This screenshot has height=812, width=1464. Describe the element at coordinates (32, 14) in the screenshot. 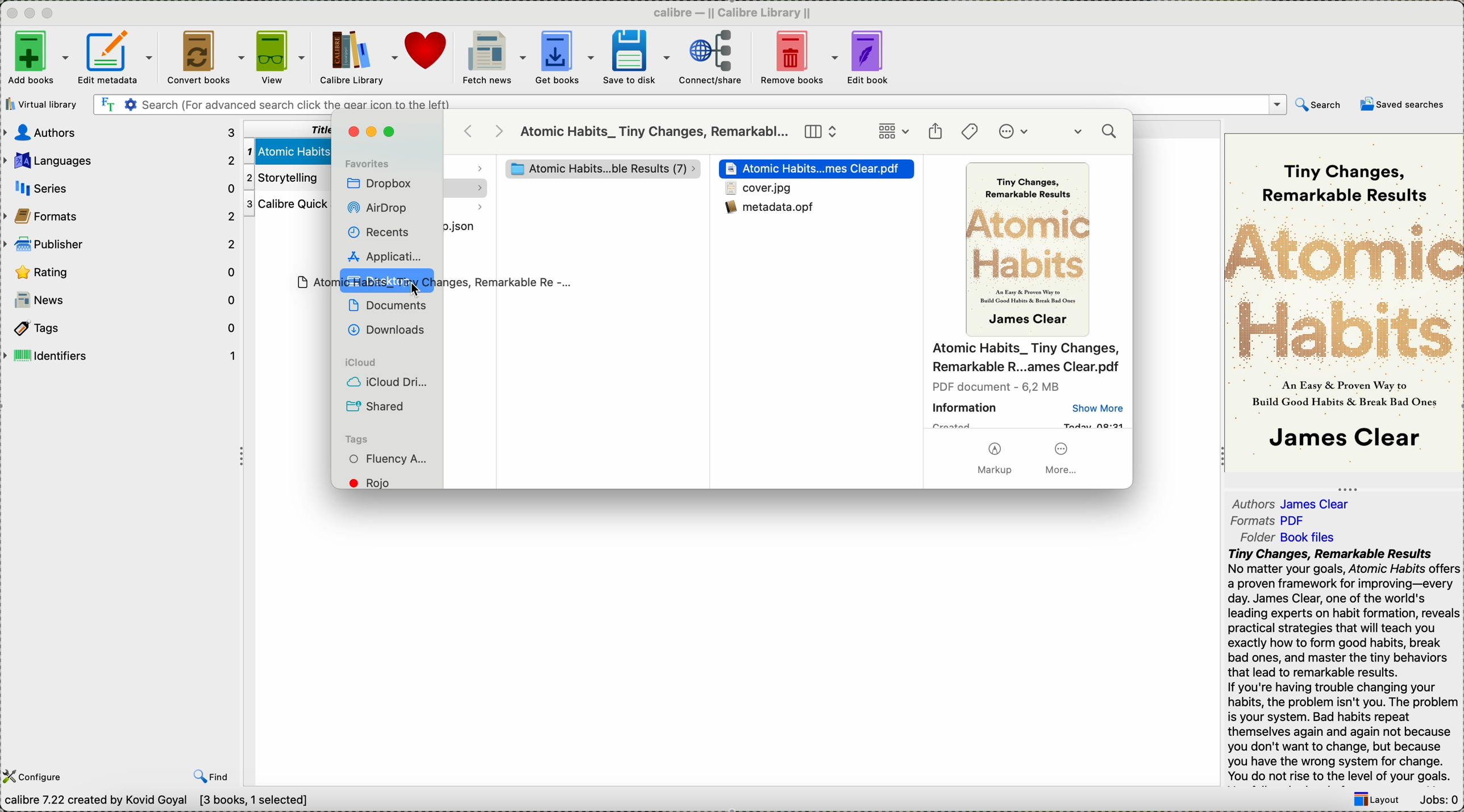

I see `disable buttons program` at that location.